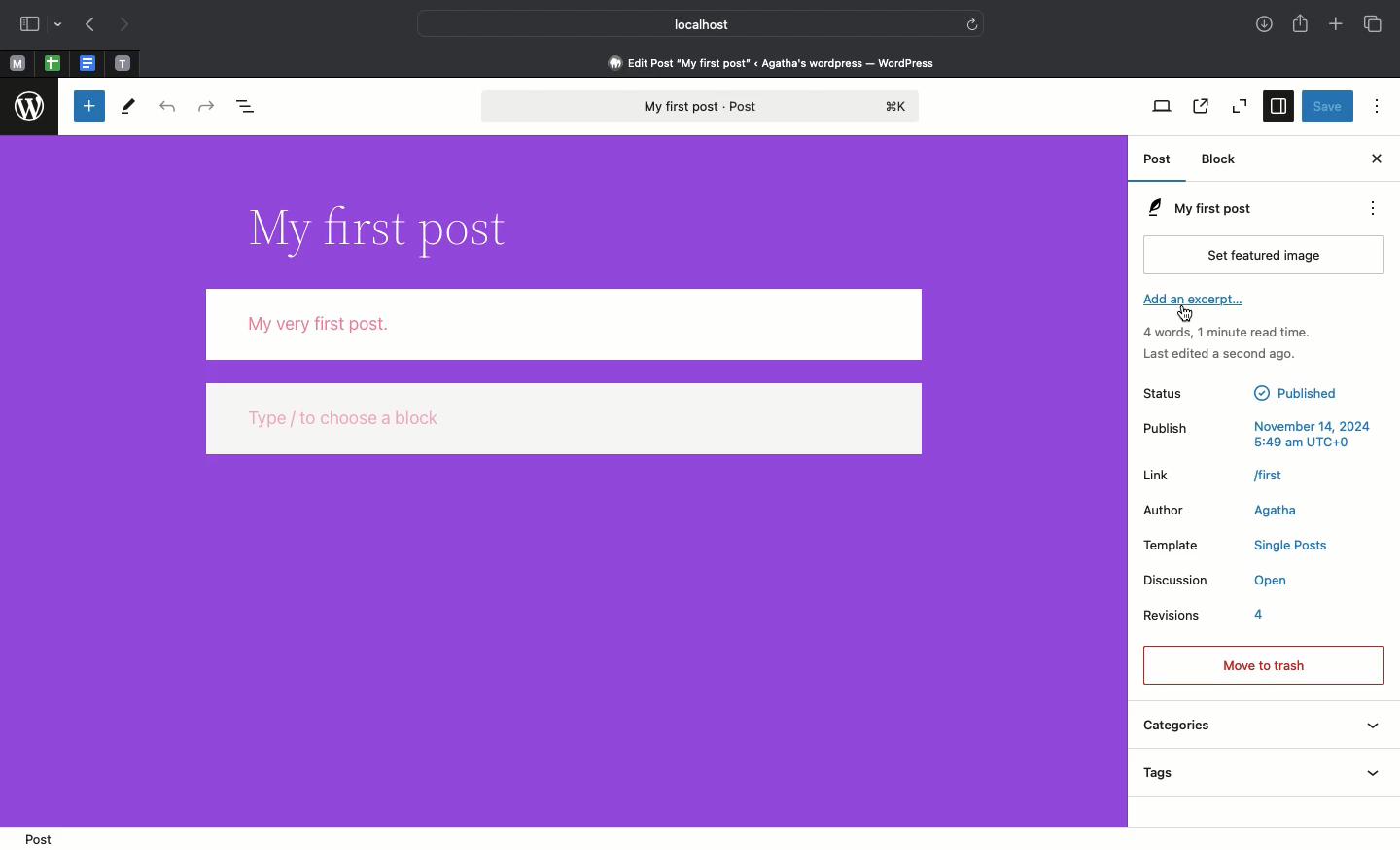  What do you see at coordinates (1163, 107) in the screenshot?
I see `View` at bounding box center [1163, 107].